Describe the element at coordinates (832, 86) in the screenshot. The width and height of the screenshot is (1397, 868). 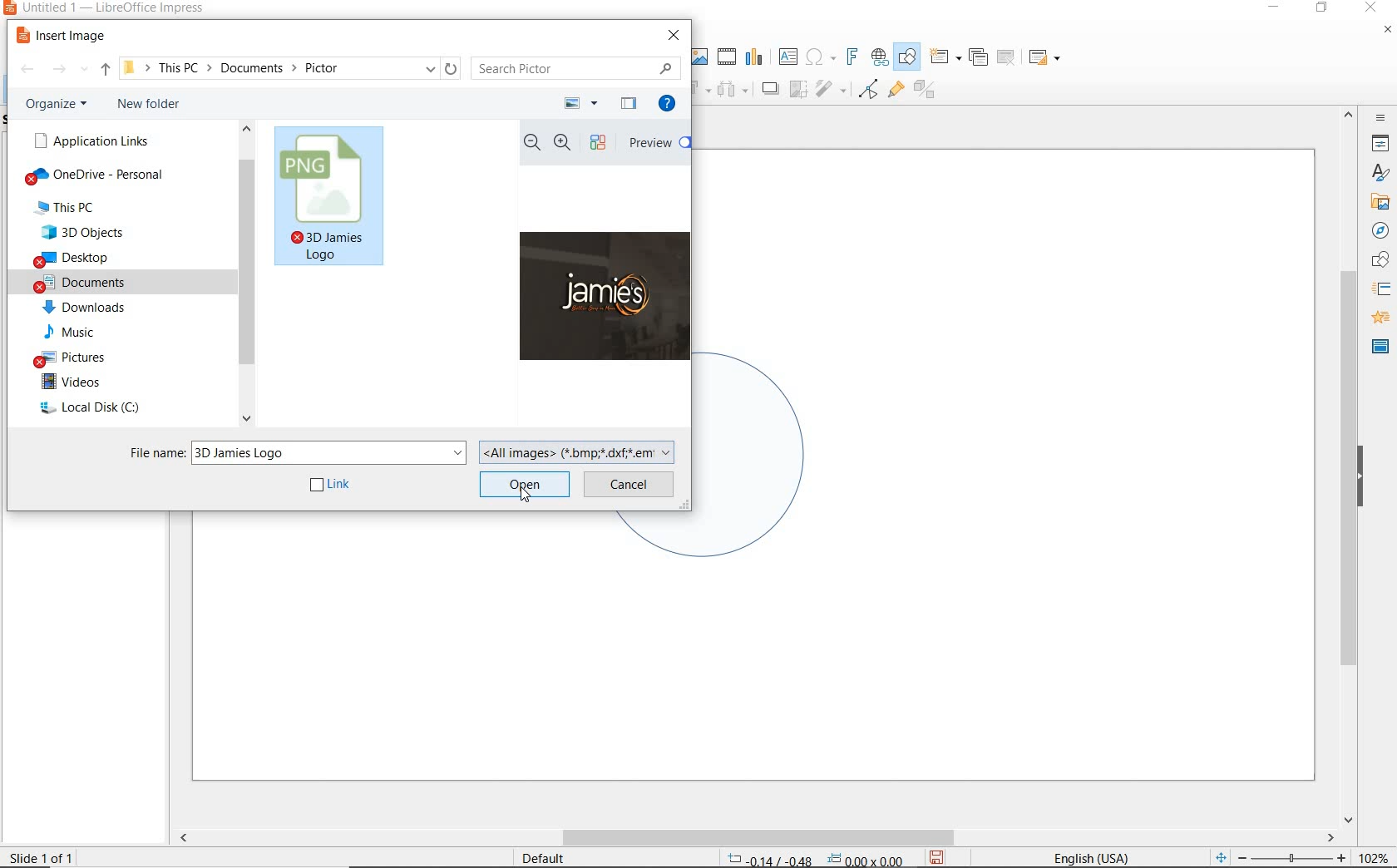
I see `filter` at that location.